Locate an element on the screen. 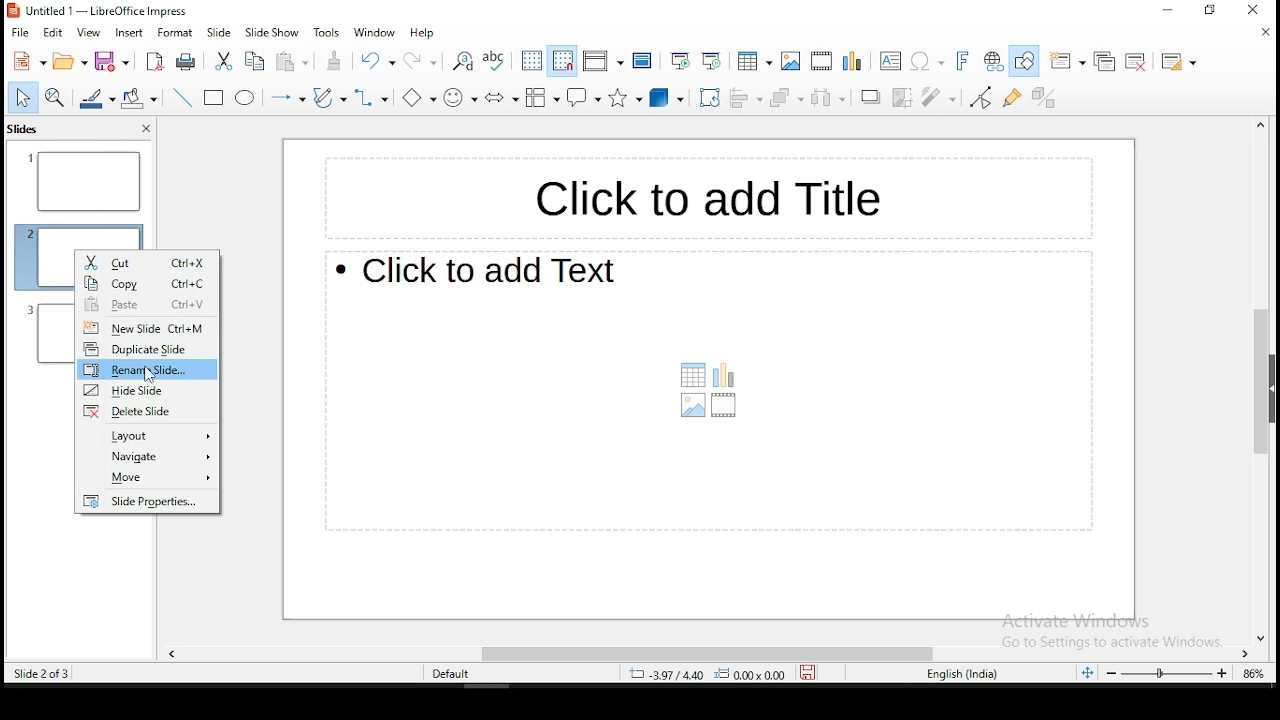 Image resolution: width=1280 pixels, height=720 pixels. copy is located at coordinates (257, 62).